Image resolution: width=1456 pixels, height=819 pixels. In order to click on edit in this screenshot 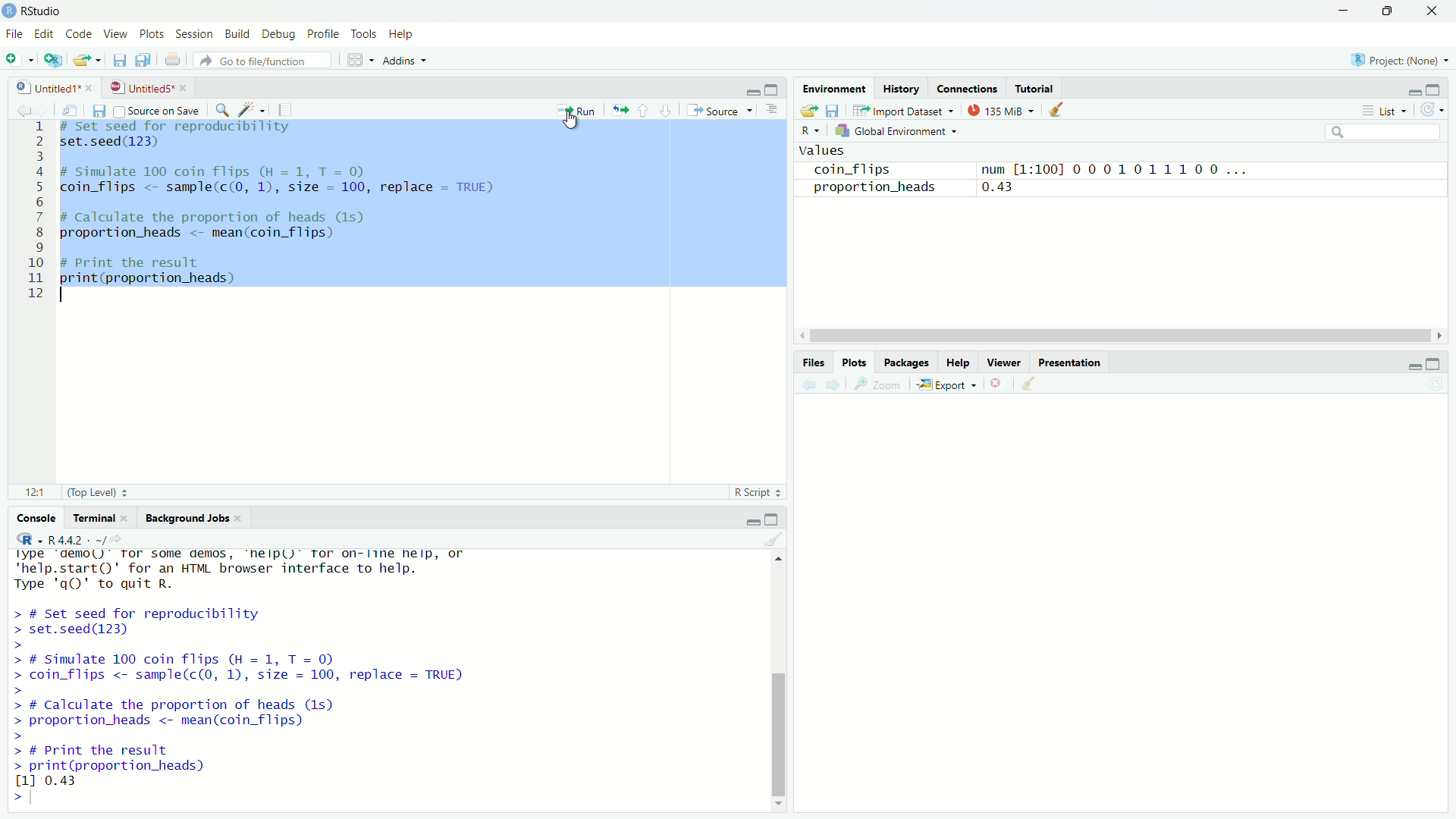, I will do `click(45, 33)`.